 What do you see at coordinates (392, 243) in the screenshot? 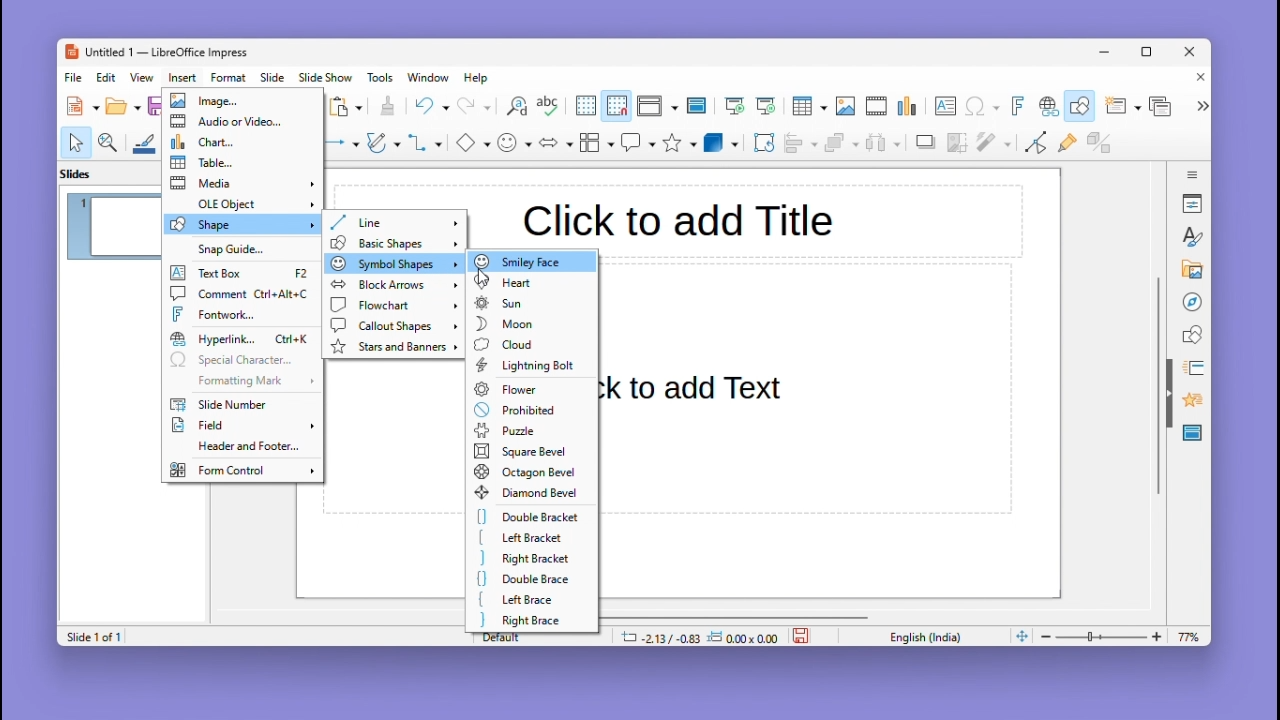
I see `Basic shapes` at bounding box center [392, 243].